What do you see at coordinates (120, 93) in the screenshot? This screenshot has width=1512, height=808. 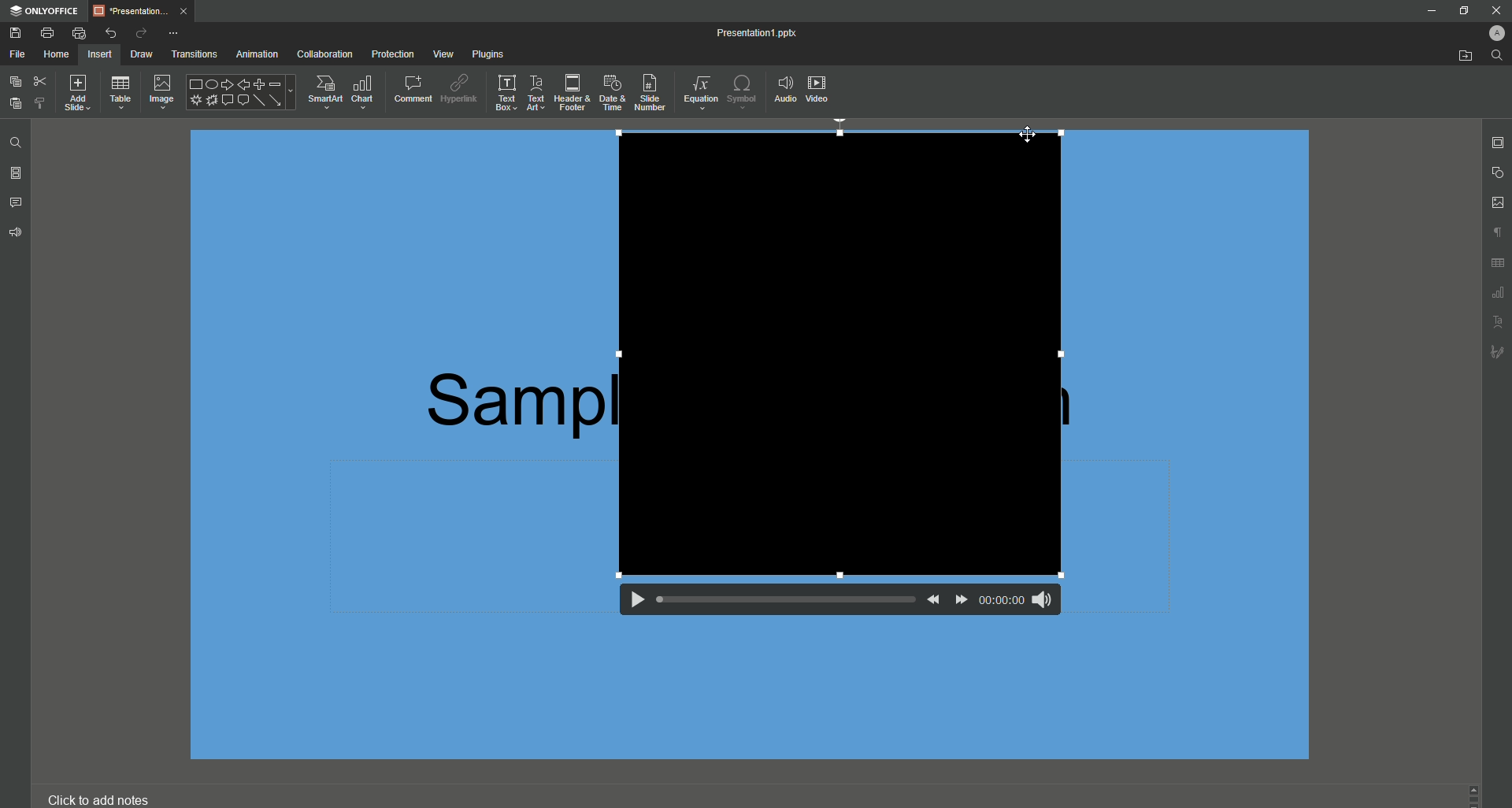 I see `Table` at bounding box center [120, 93].